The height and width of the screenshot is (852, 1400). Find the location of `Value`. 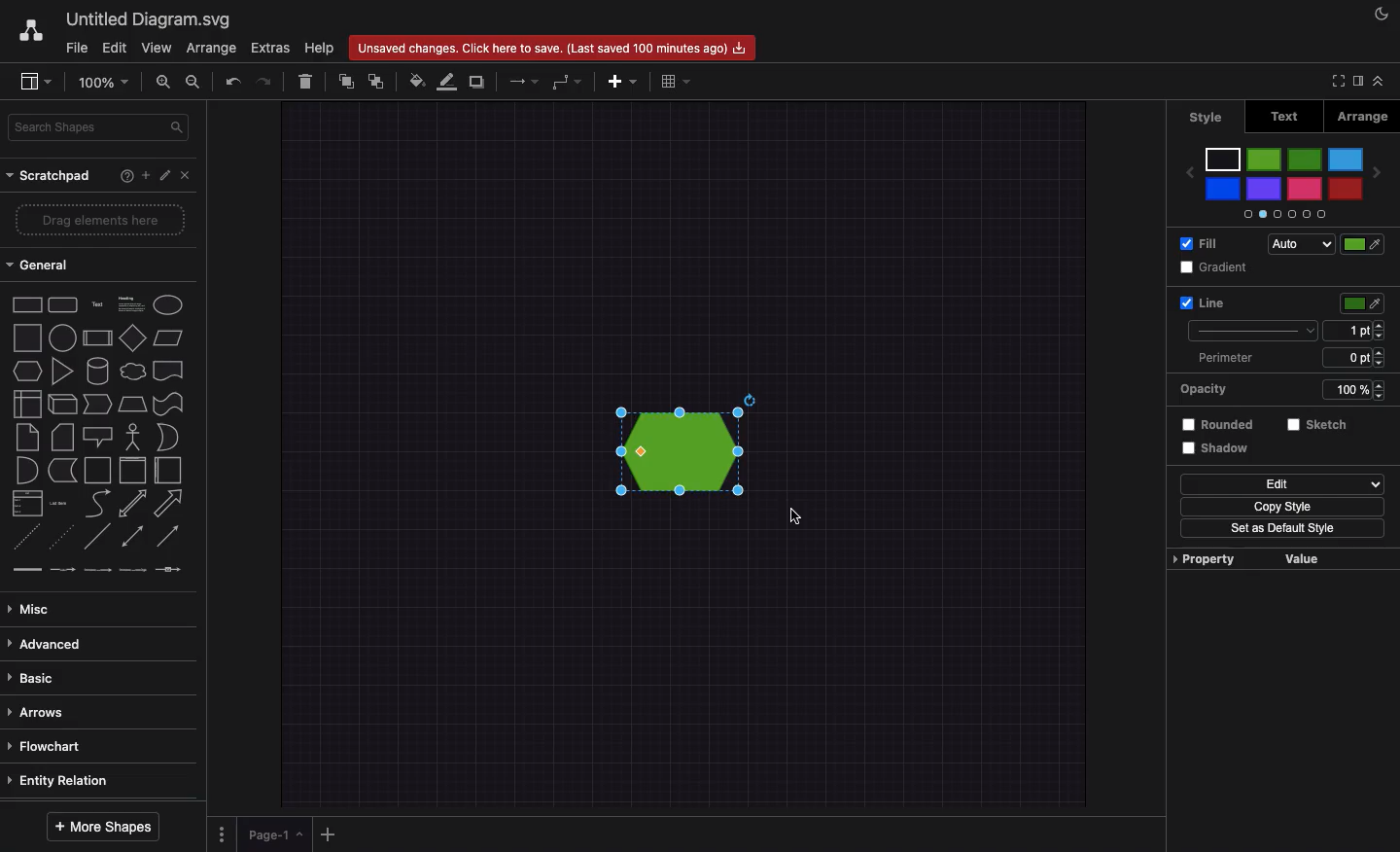

Value is located at coordinates (1303, 559).